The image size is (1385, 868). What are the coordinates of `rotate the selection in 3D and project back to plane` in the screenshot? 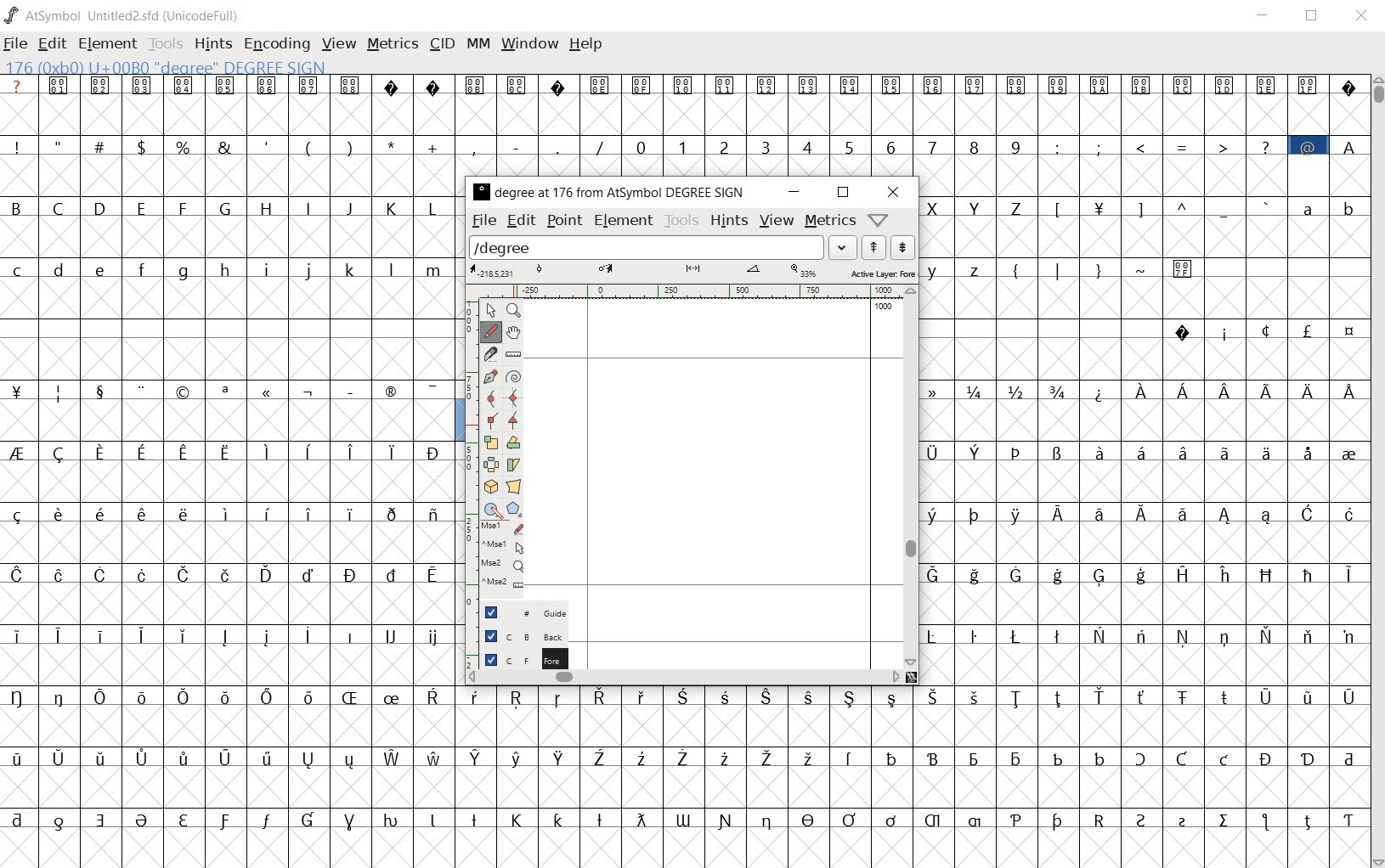 It's located at (488, 487).